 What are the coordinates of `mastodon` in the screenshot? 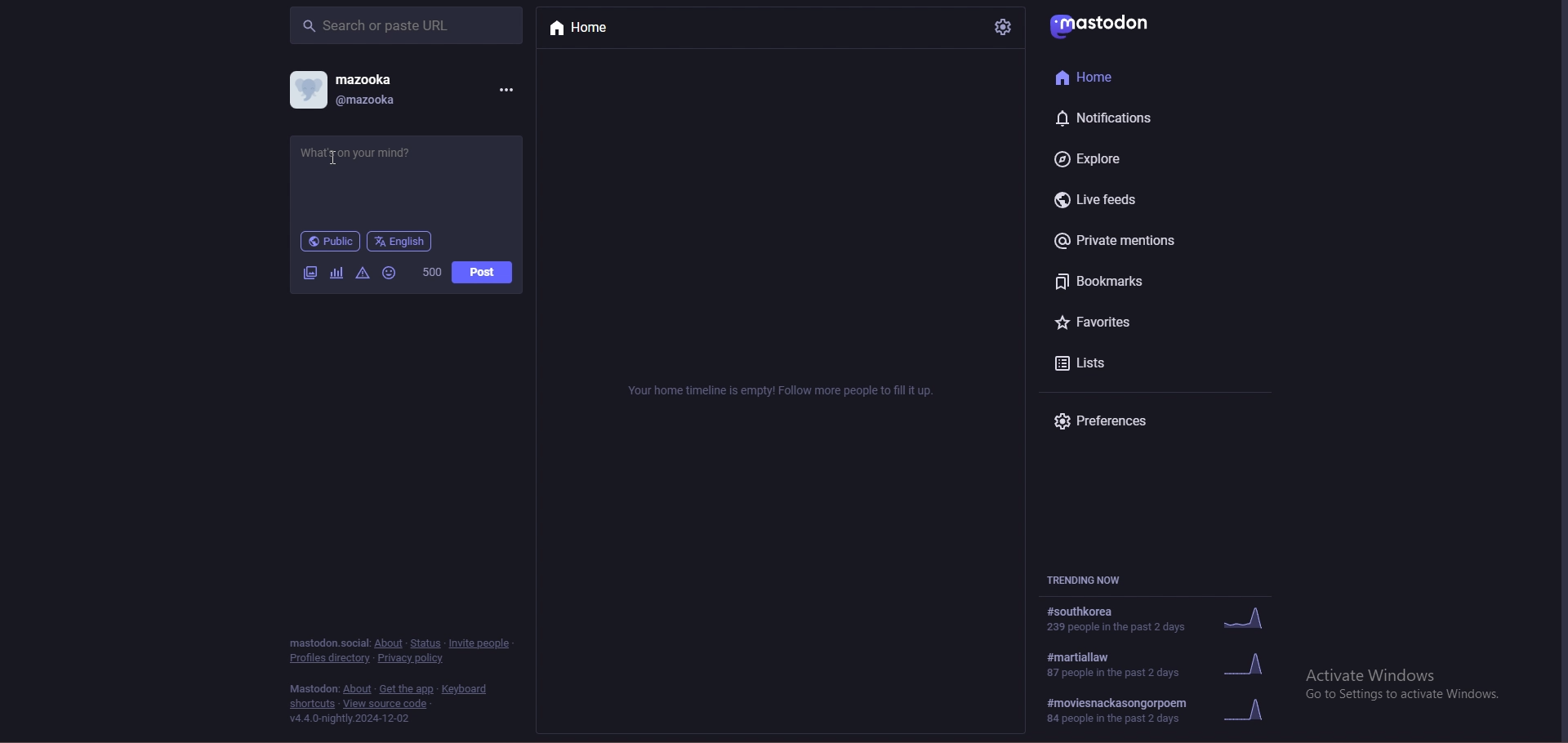 It's located at (1107, 23).